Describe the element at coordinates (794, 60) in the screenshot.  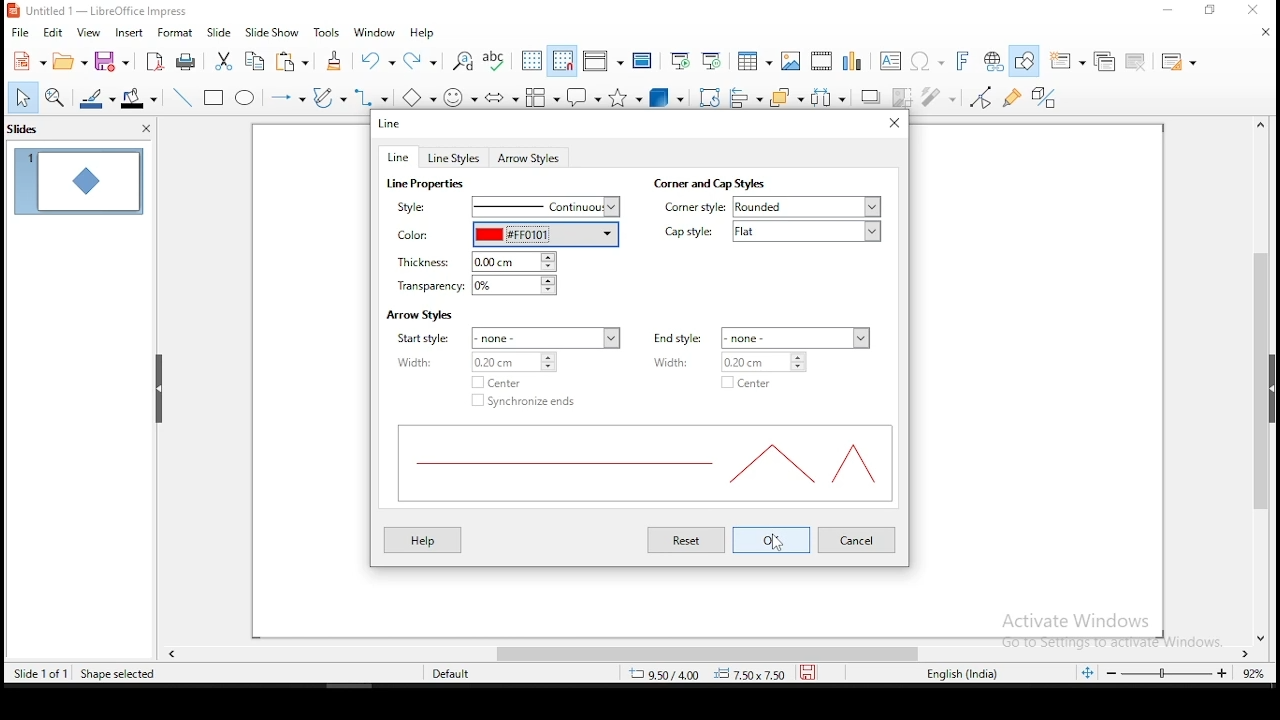
I see `image` at that location.